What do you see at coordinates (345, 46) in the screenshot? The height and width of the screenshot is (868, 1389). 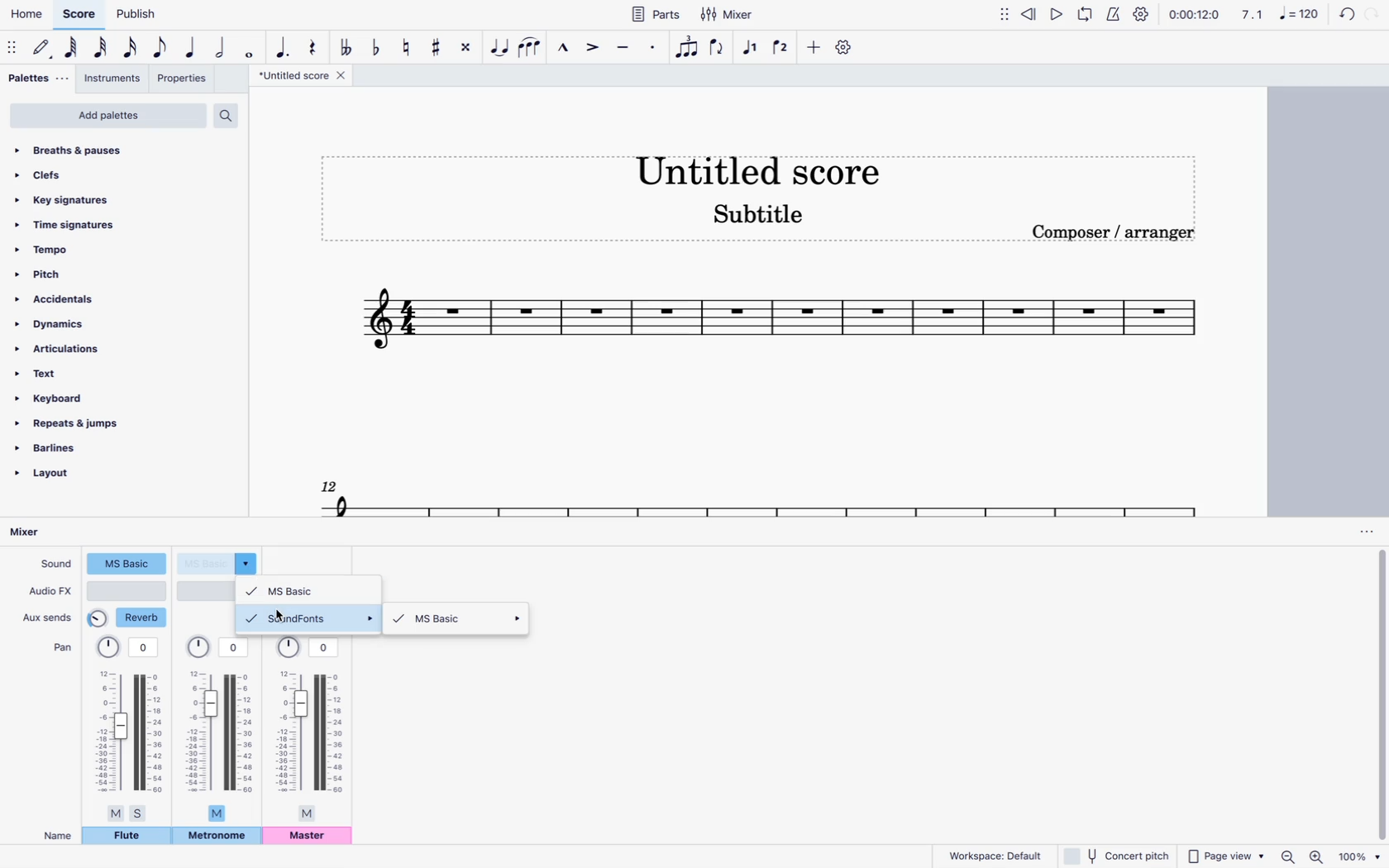 I see `toggle double flat` at bounding box center [345, 46].